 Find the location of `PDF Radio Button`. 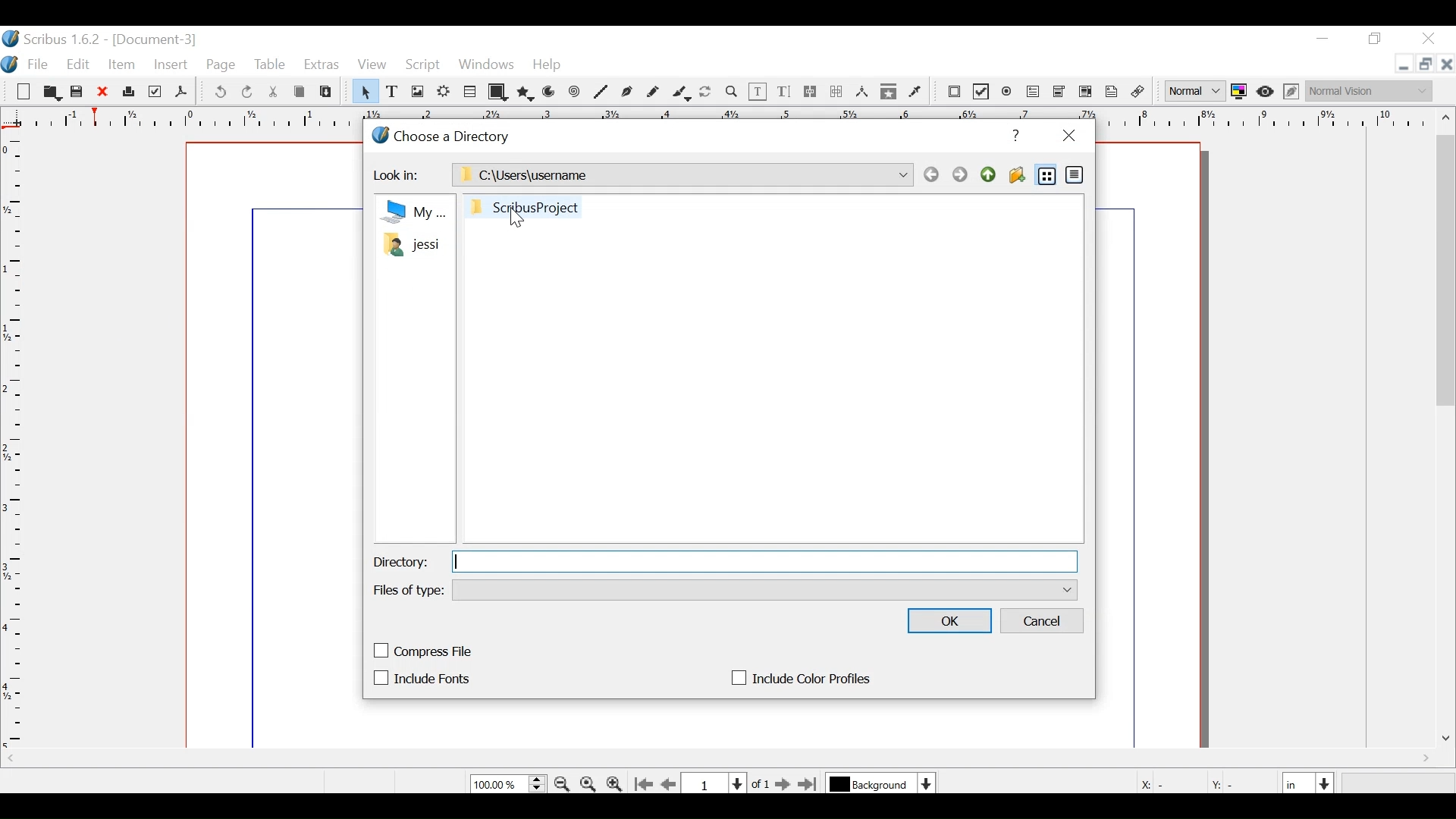

PDF Radio Button is located at coordinates (1007, 92).